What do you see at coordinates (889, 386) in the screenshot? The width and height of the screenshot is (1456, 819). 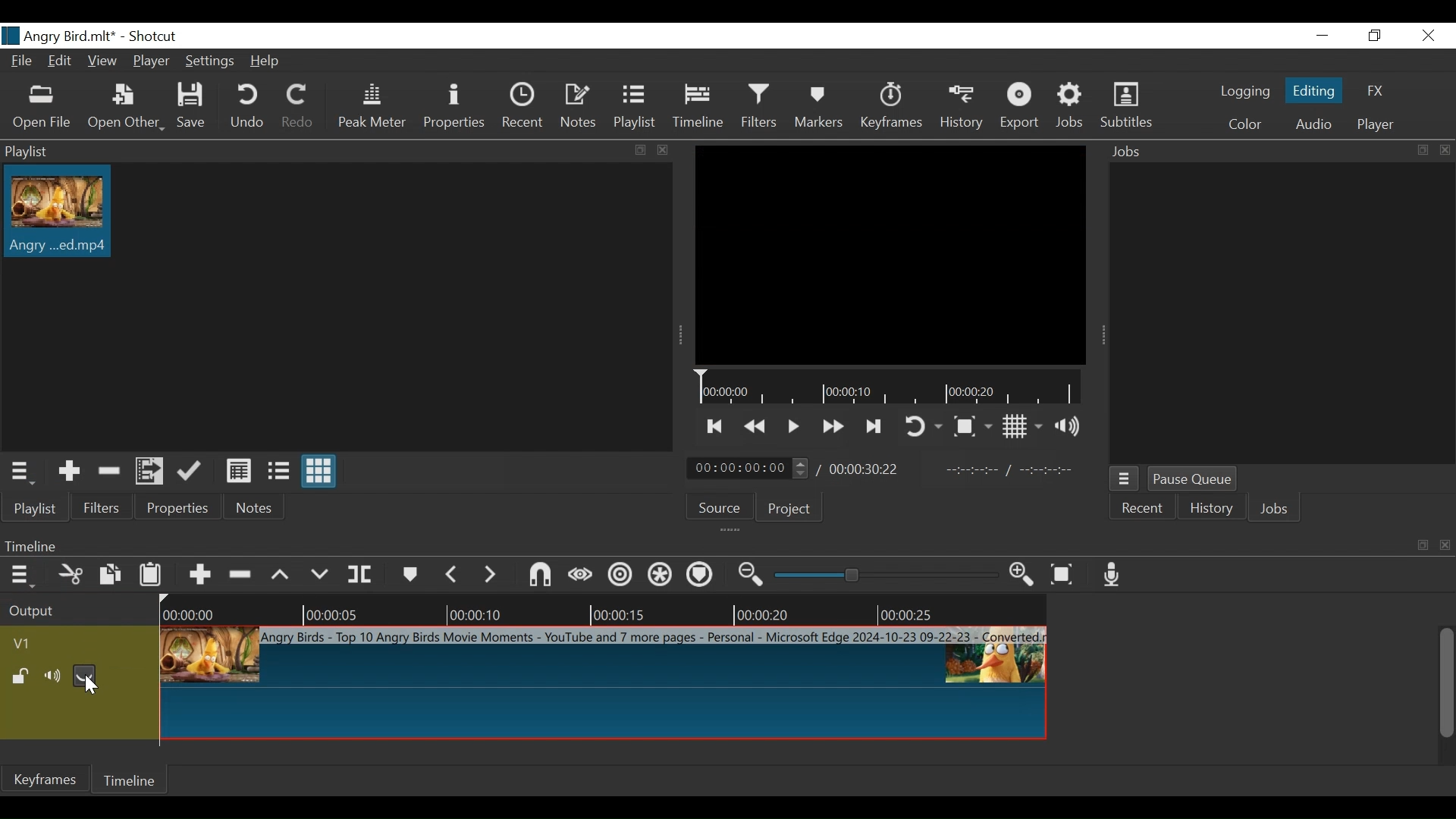 I see `Timeline` at bounding box center [889, 386].